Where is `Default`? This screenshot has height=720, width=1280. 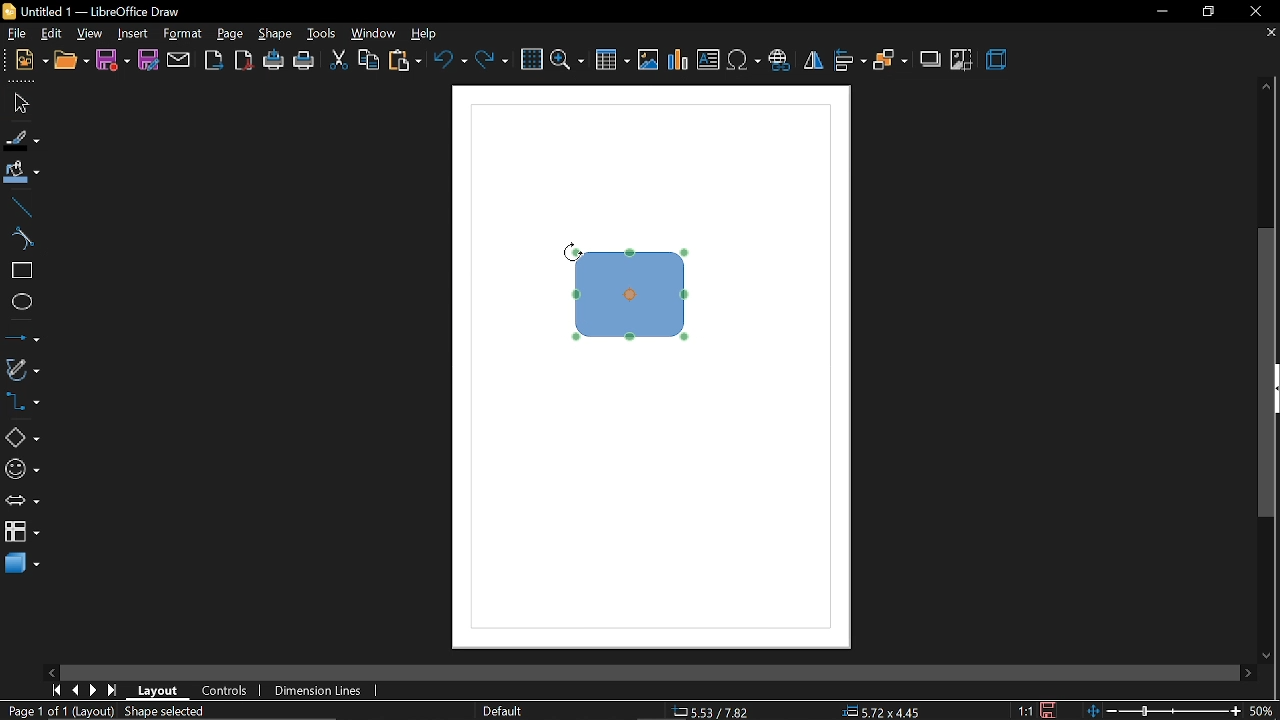
Default is located at coordinates (503, 710).